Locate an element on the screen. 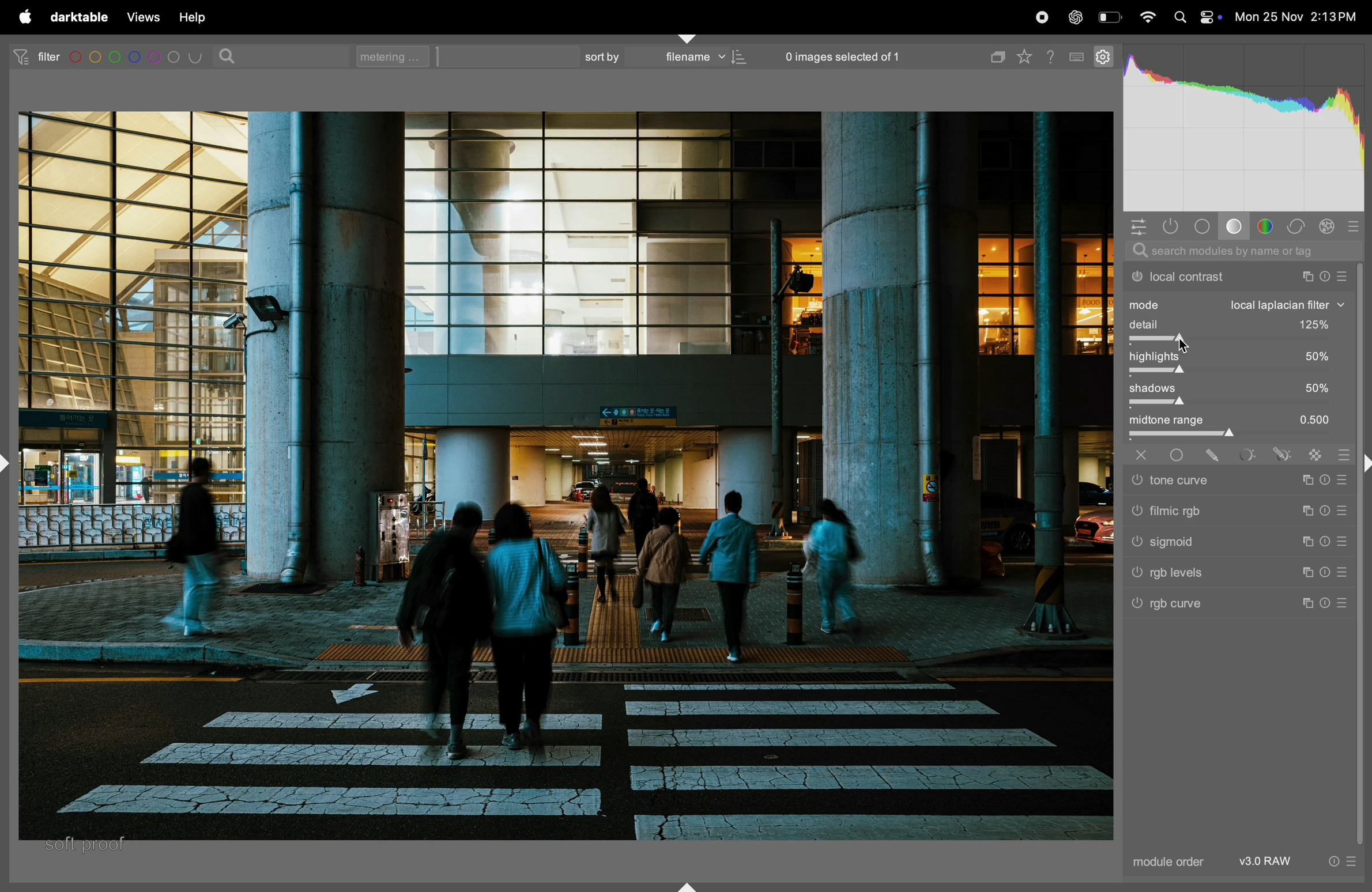 The height and width of the screenshot is (892, 1372). histogram is located at coordinates (1243, 129).